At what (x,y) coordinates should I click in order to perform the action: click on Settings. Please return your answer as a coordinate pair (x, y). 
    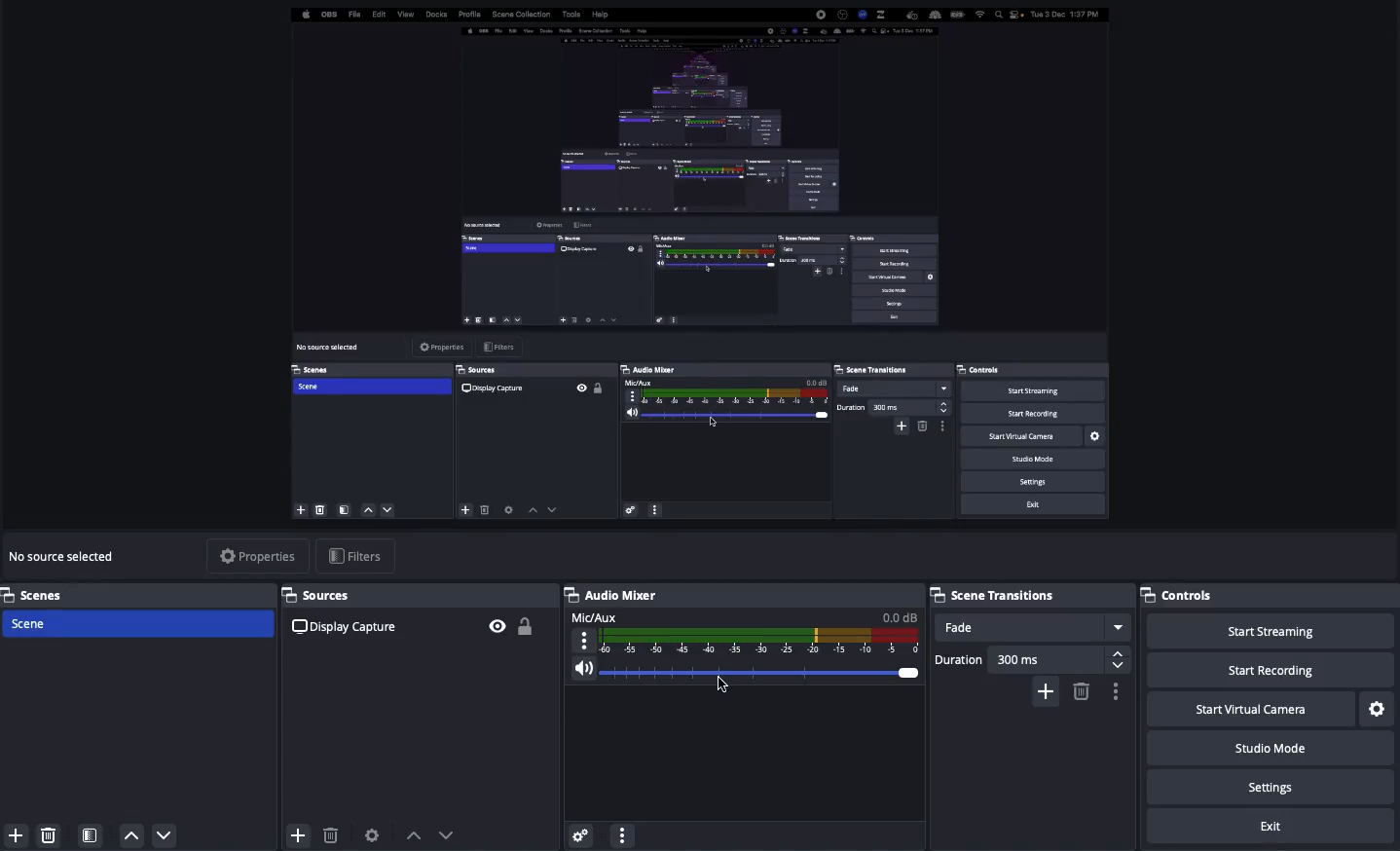
    Looking at the image, I should click on (1378, 708).